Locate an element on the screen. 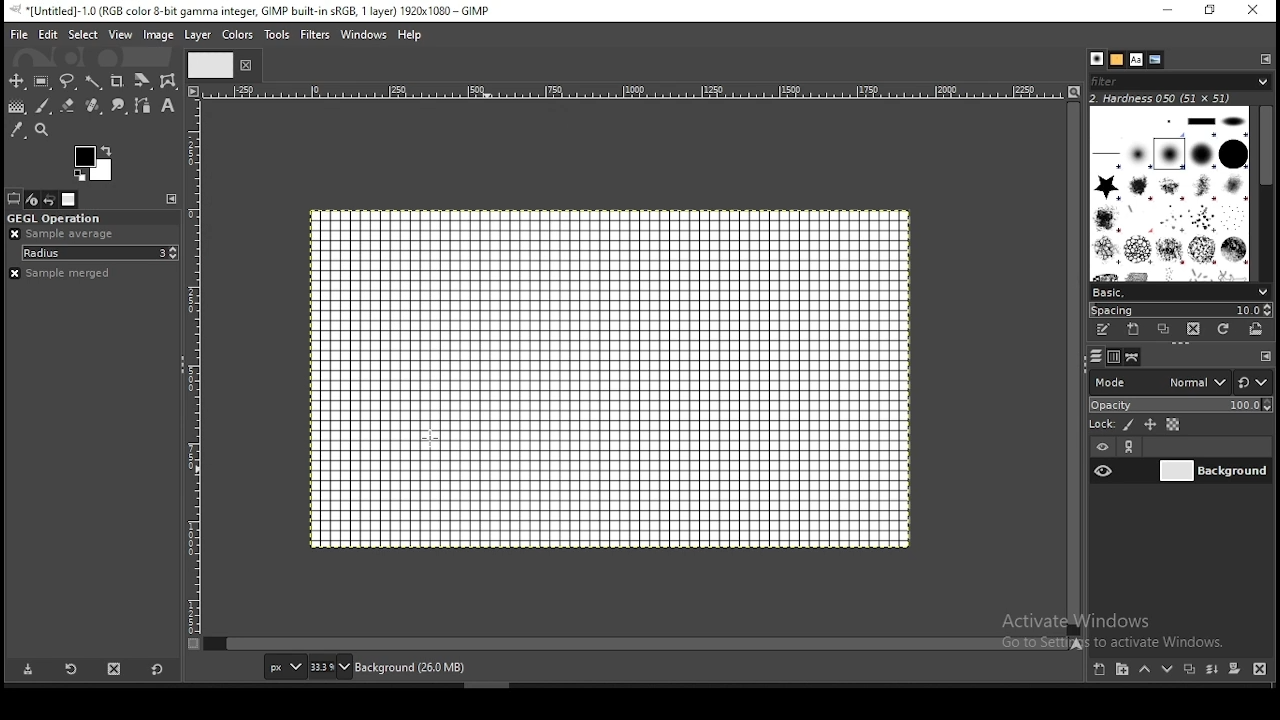 Image resolution: width=1280 pixels, height=720 pixels. GEGL operation is located at coordinates (55, 219).